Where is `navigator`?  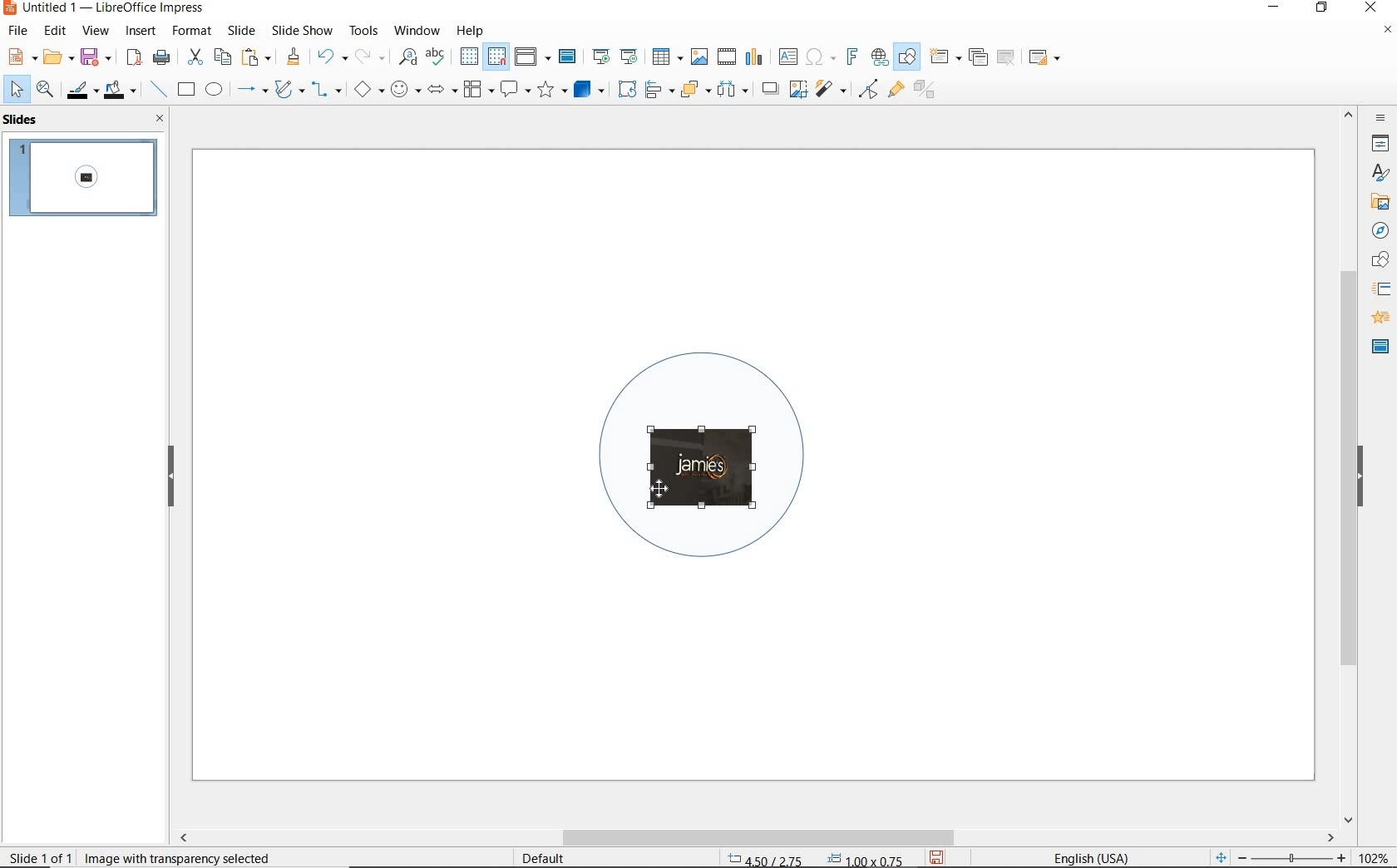 navigator is located at coordinates (1379, 229).